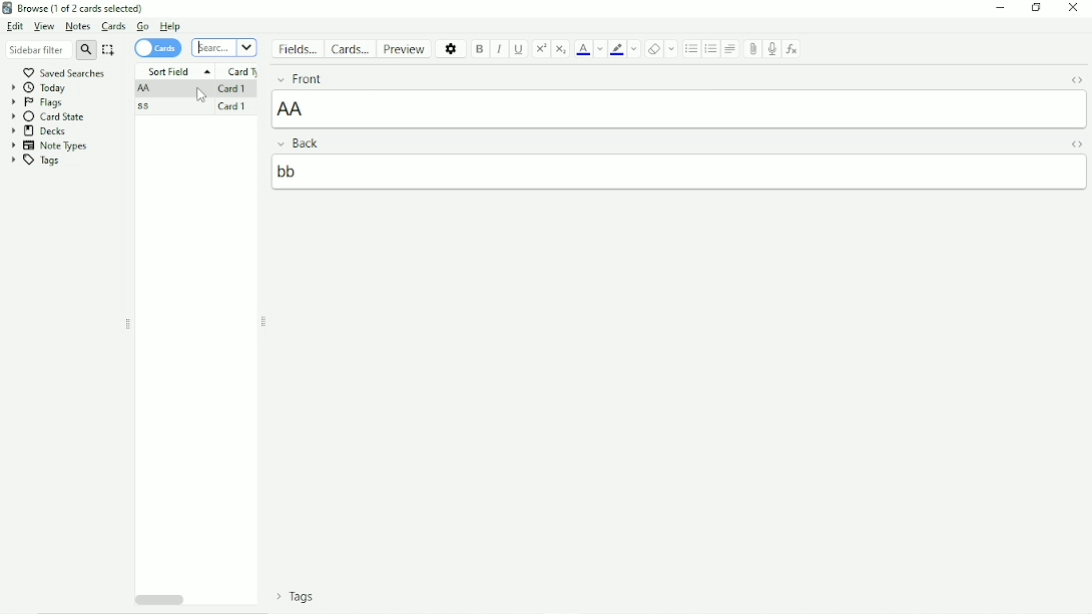  Describe the element at coordinates (265, 323) in the screenshot. I see `Resize` at that location.